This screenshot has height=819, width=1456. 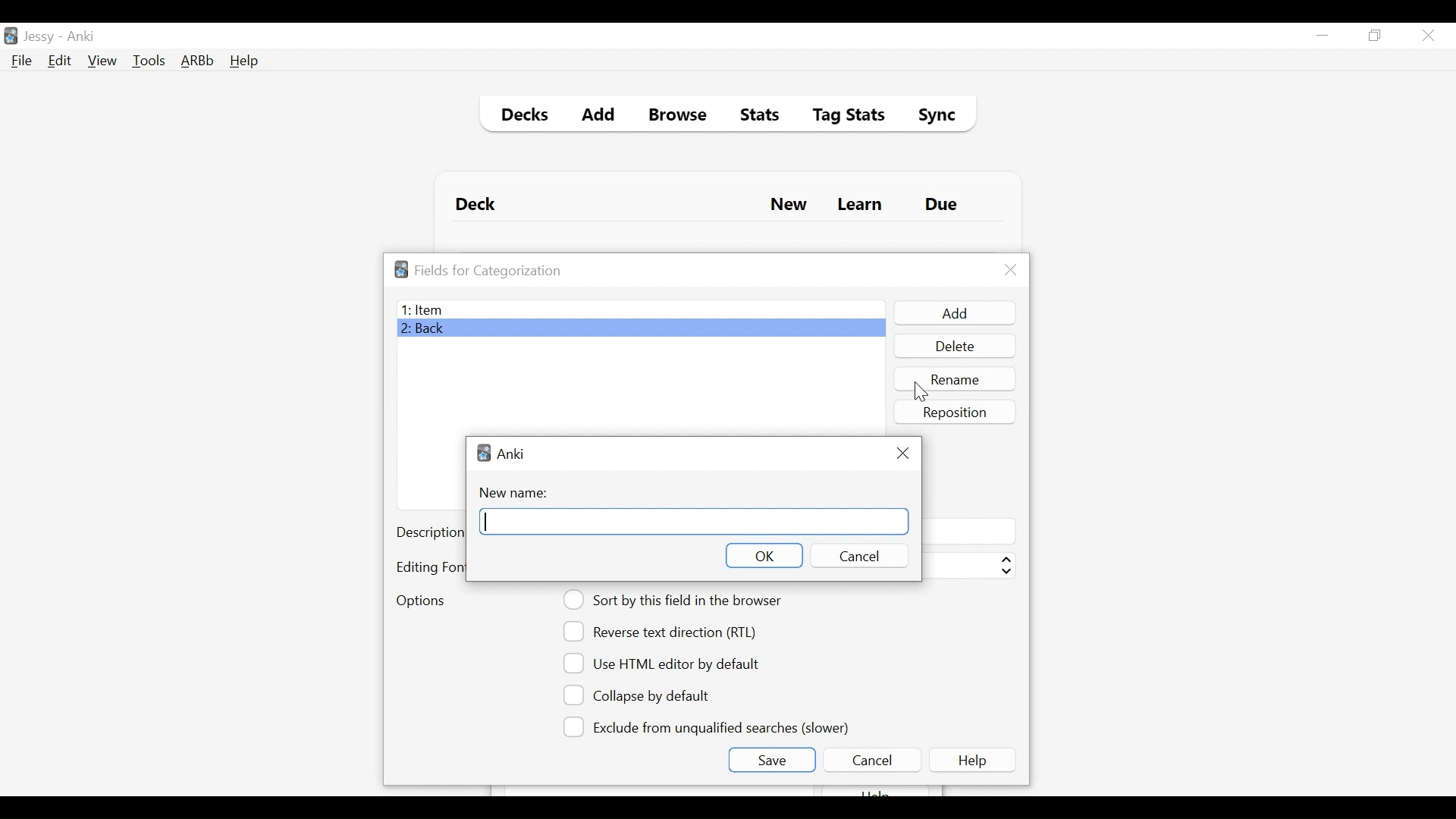 What do you see at coordinates (840, 117) in the screenshot?
I see `Tag Stats` at bounding box center [840, 117].